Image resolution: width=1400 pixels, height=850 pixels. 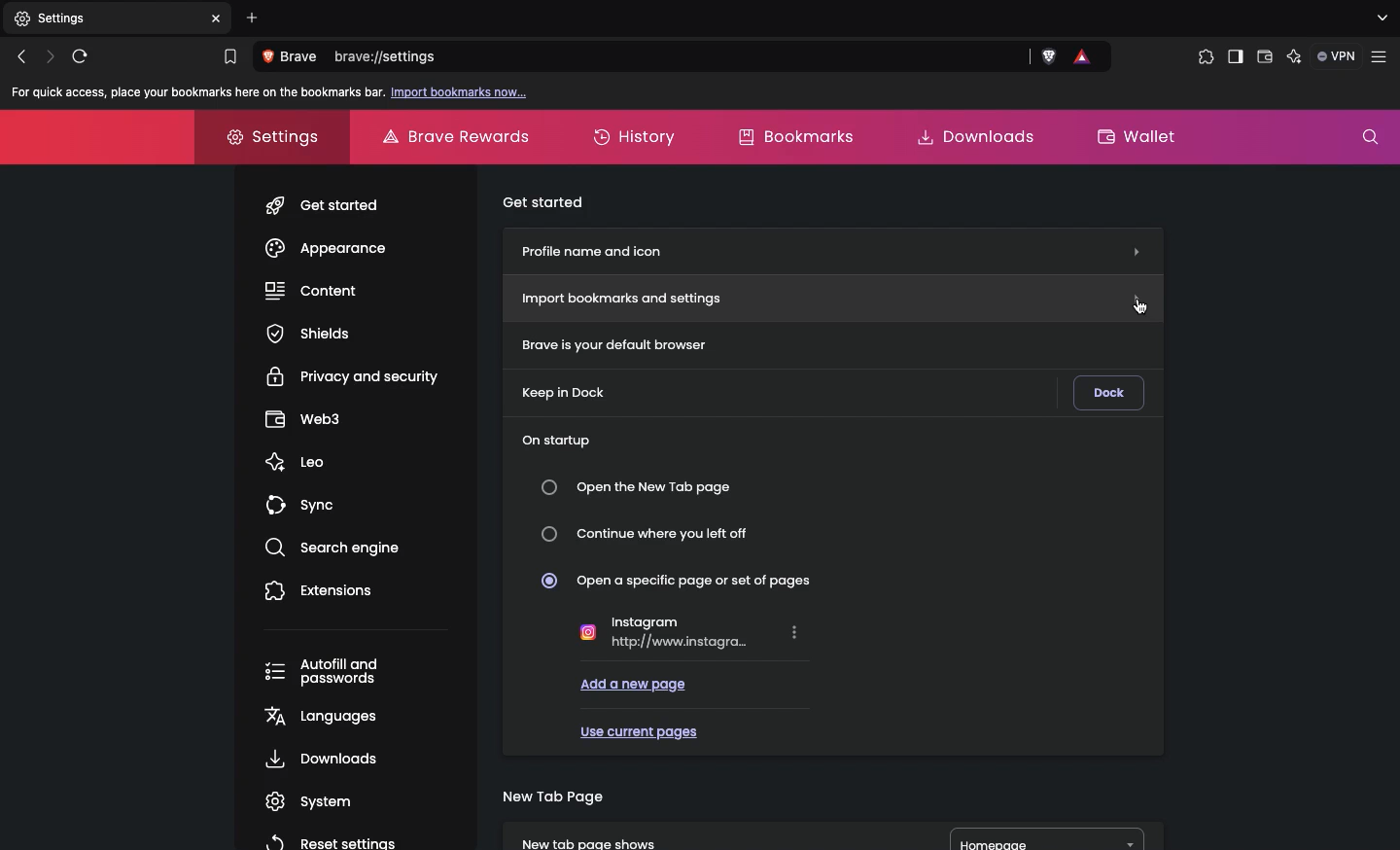 What do you see at coordinates (552, 795) in the screenshot?
I see `New tab page` at bounding box center [552, 795].